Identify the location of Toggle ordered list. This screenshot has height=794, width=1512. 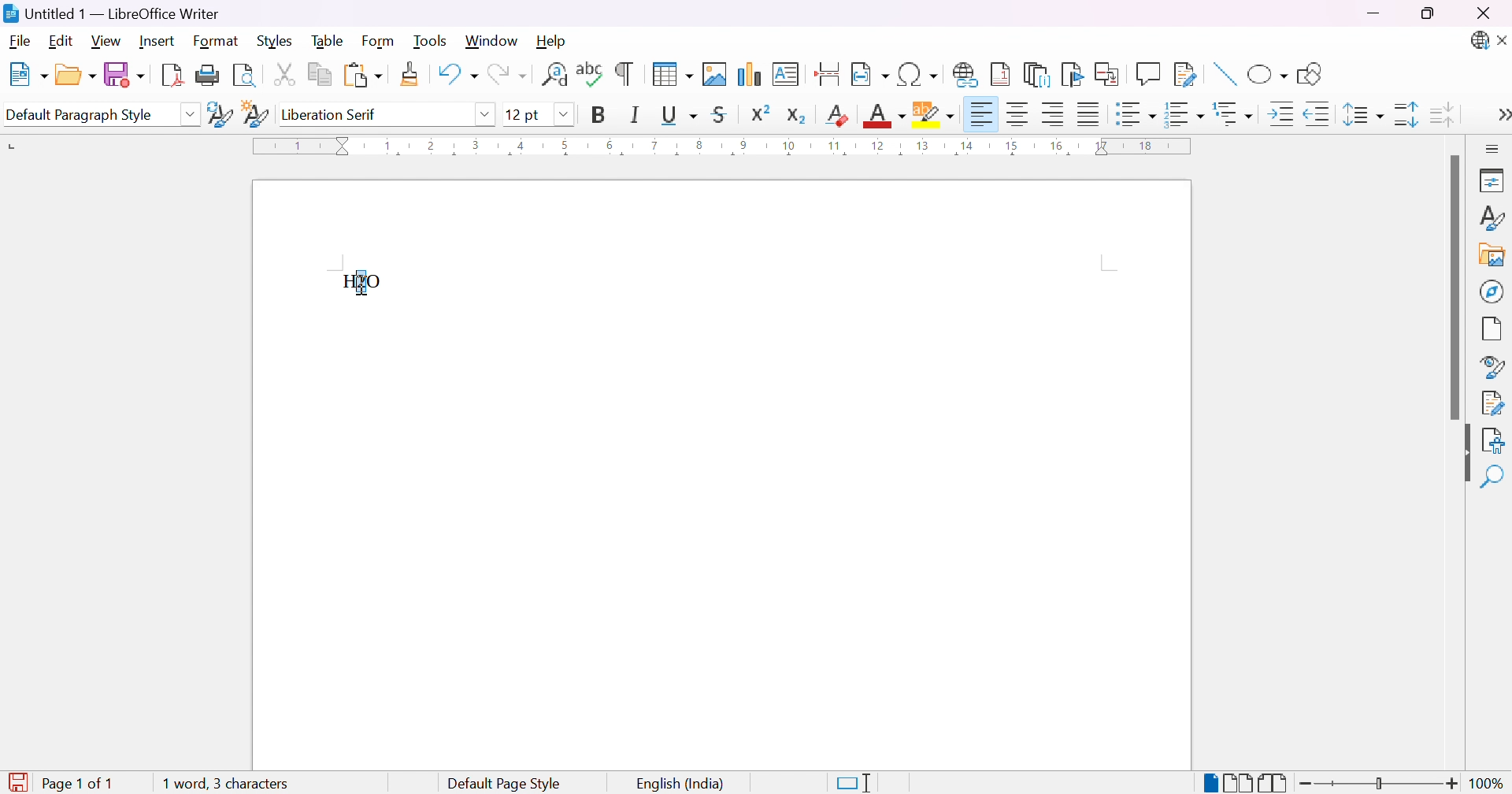
(1186, 113).